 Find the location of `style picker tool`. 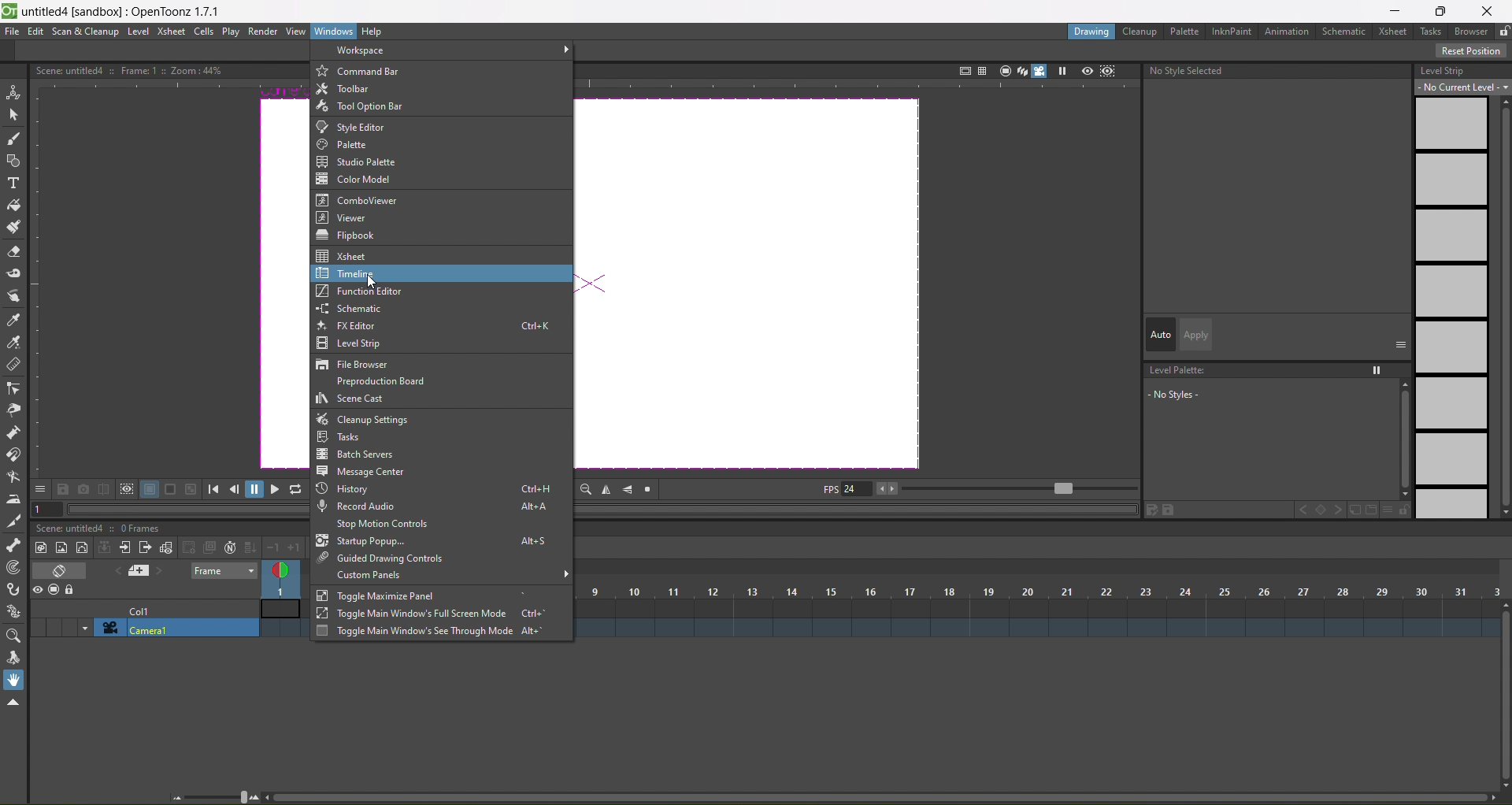

style picker tool is located at coordinates (13, 321).